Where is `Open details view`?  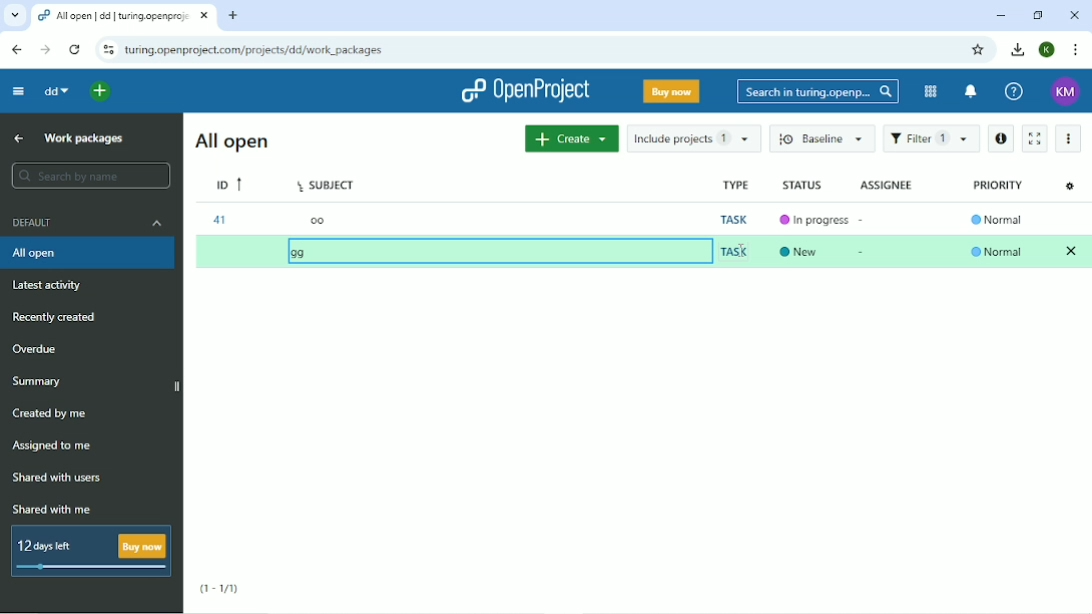
Open details view is located at coordinates (1001, 138).